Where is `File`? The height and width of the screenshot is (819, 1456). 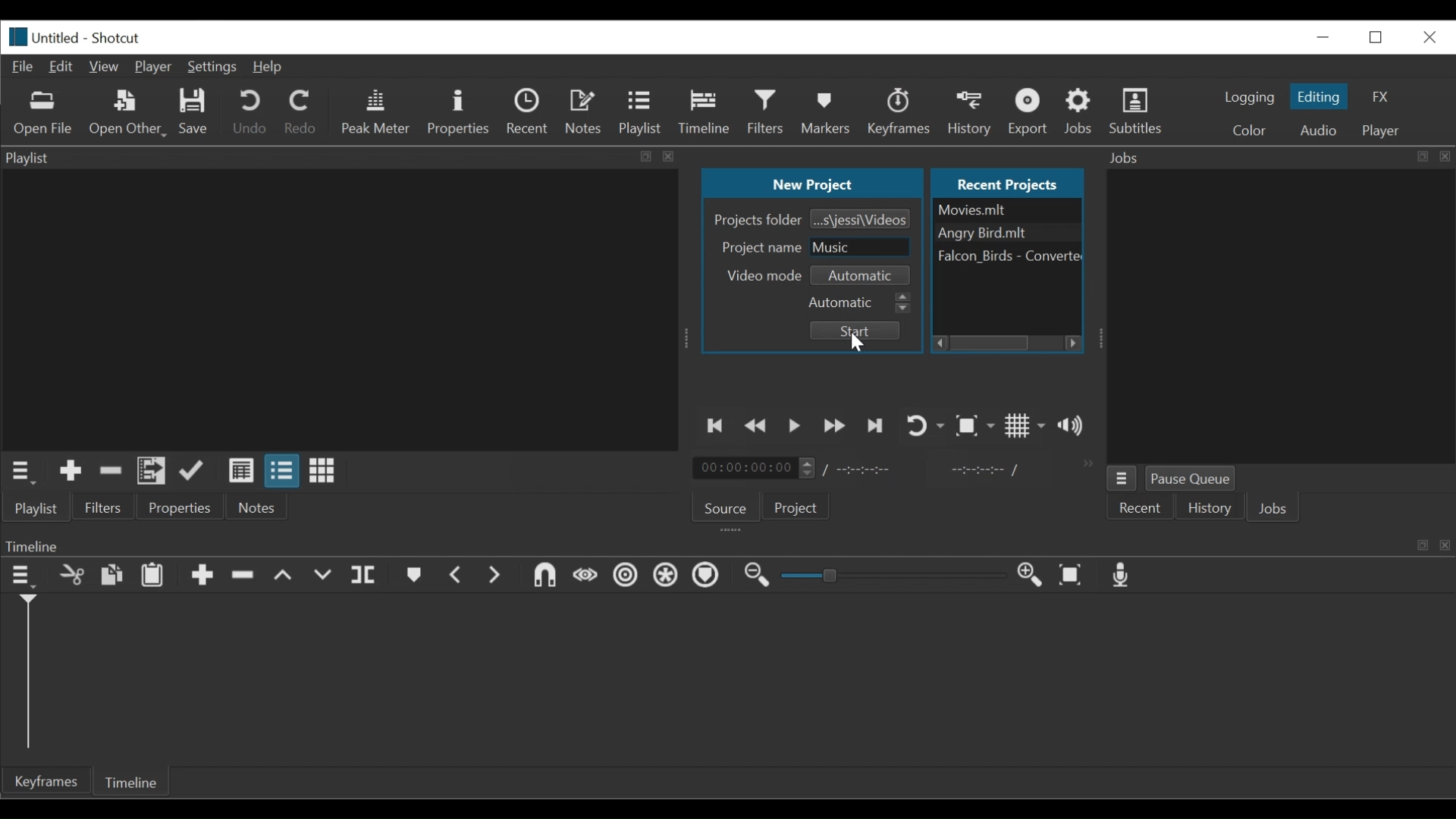
File is located at coordinates (24, 68).